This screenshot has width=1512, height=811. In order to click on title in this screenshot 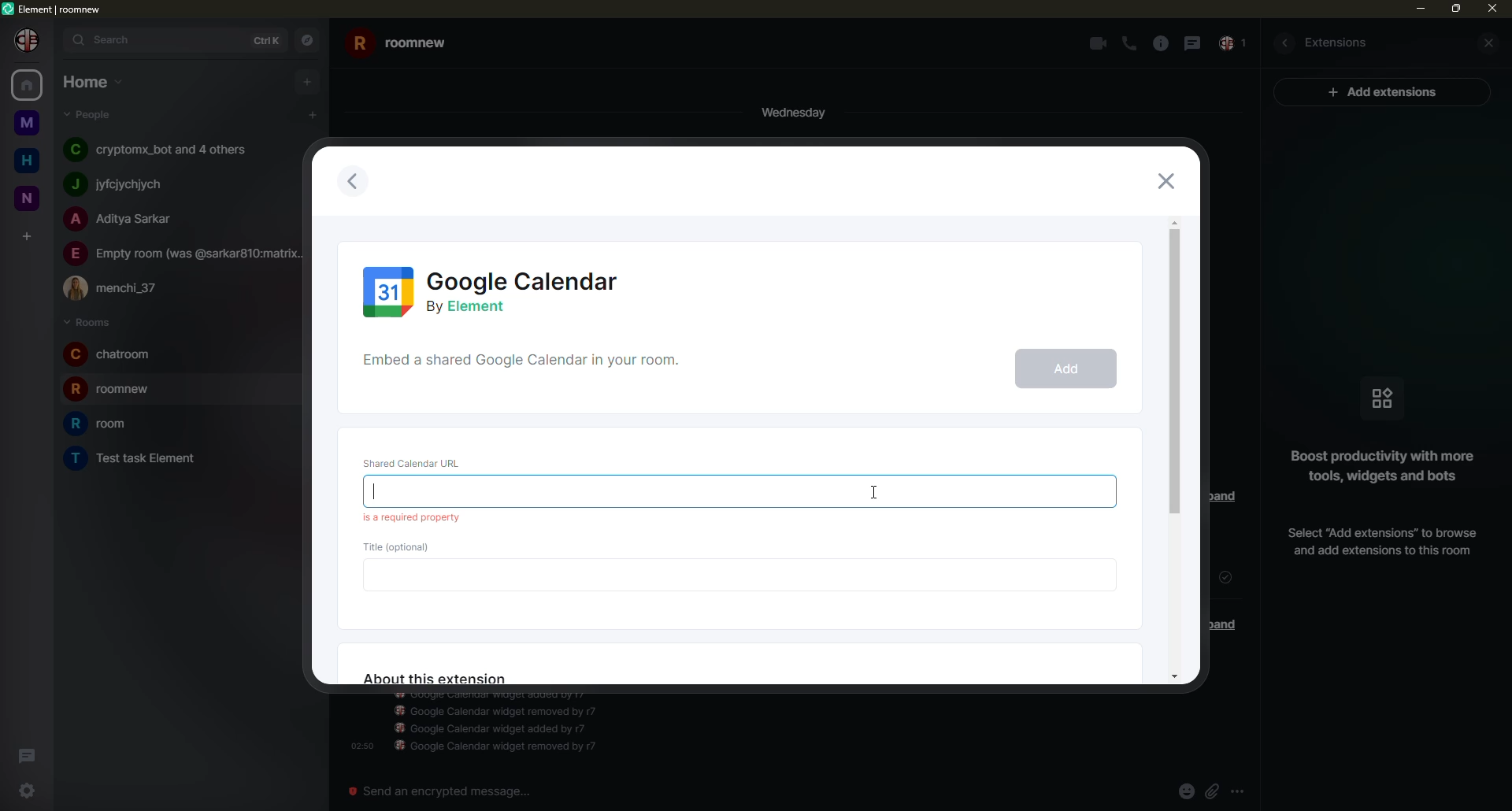, I will do `click(402, 546)`.